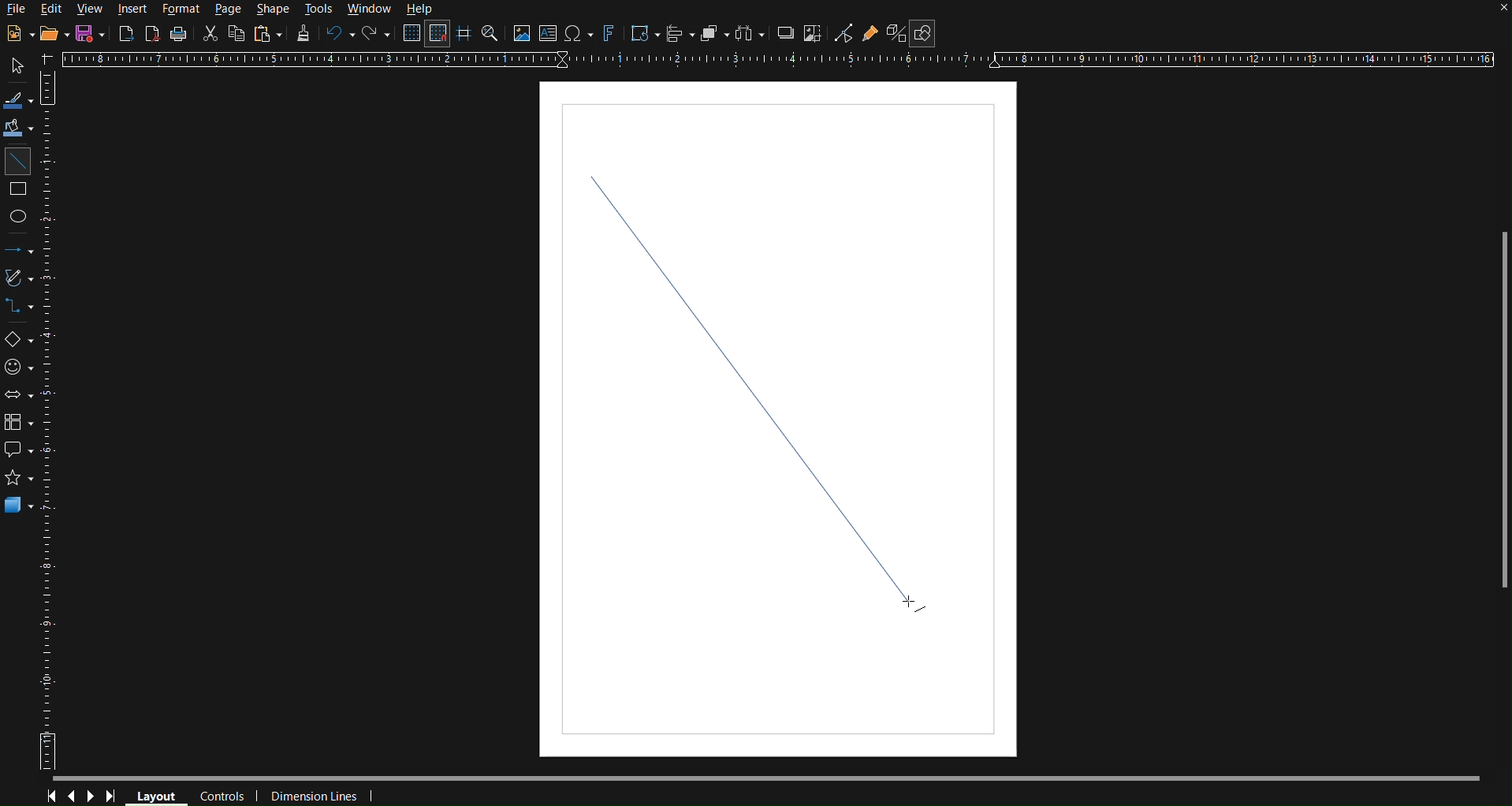 The image size is (1512, 806). What do you see at coordinates (923, 33) in the screenshot?
I see `Show Draw Functions` at bounding box center [923, 33].